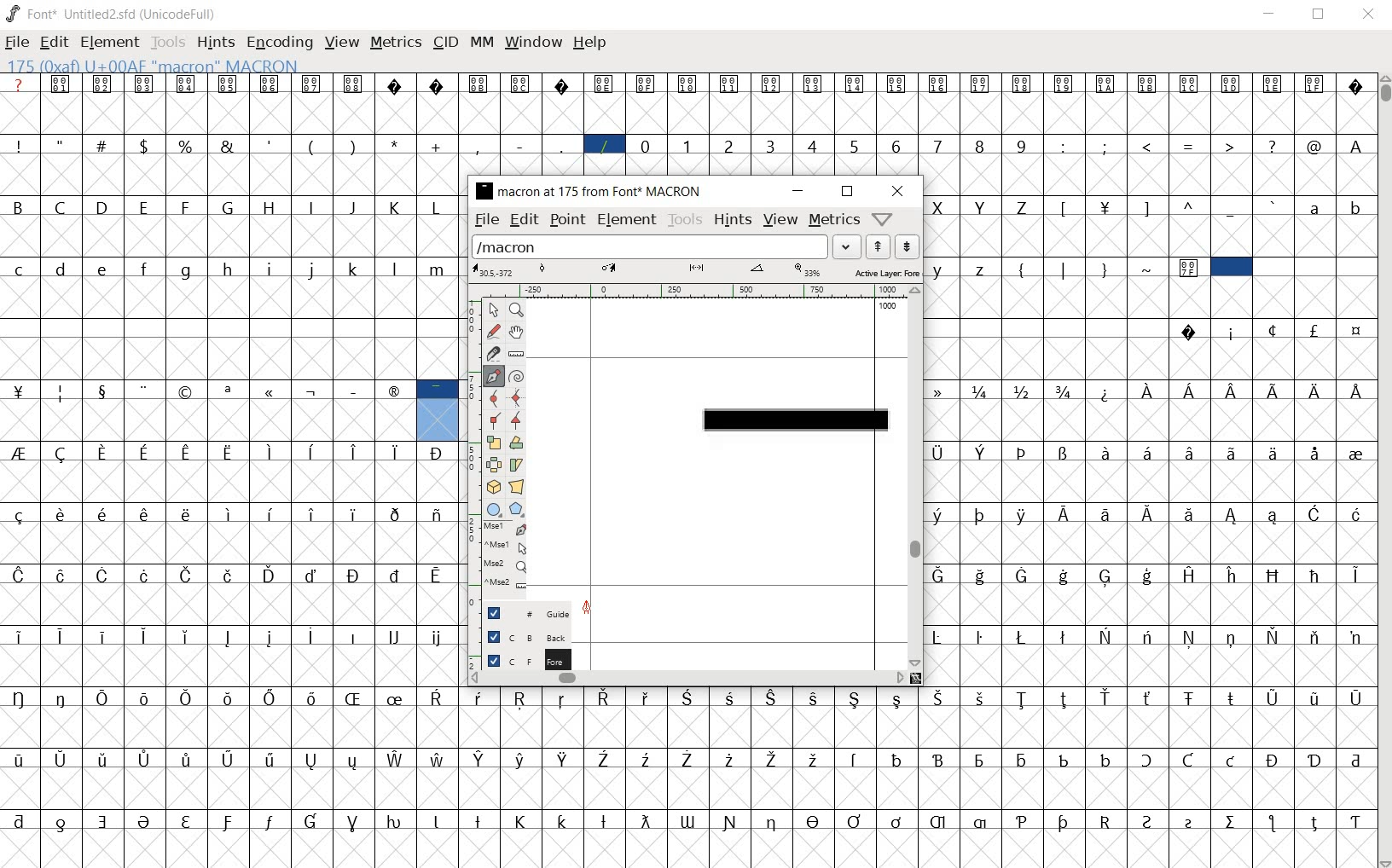  Describe the element at coordinates (494, 443) in the screenshot. I see `scale` at that location.